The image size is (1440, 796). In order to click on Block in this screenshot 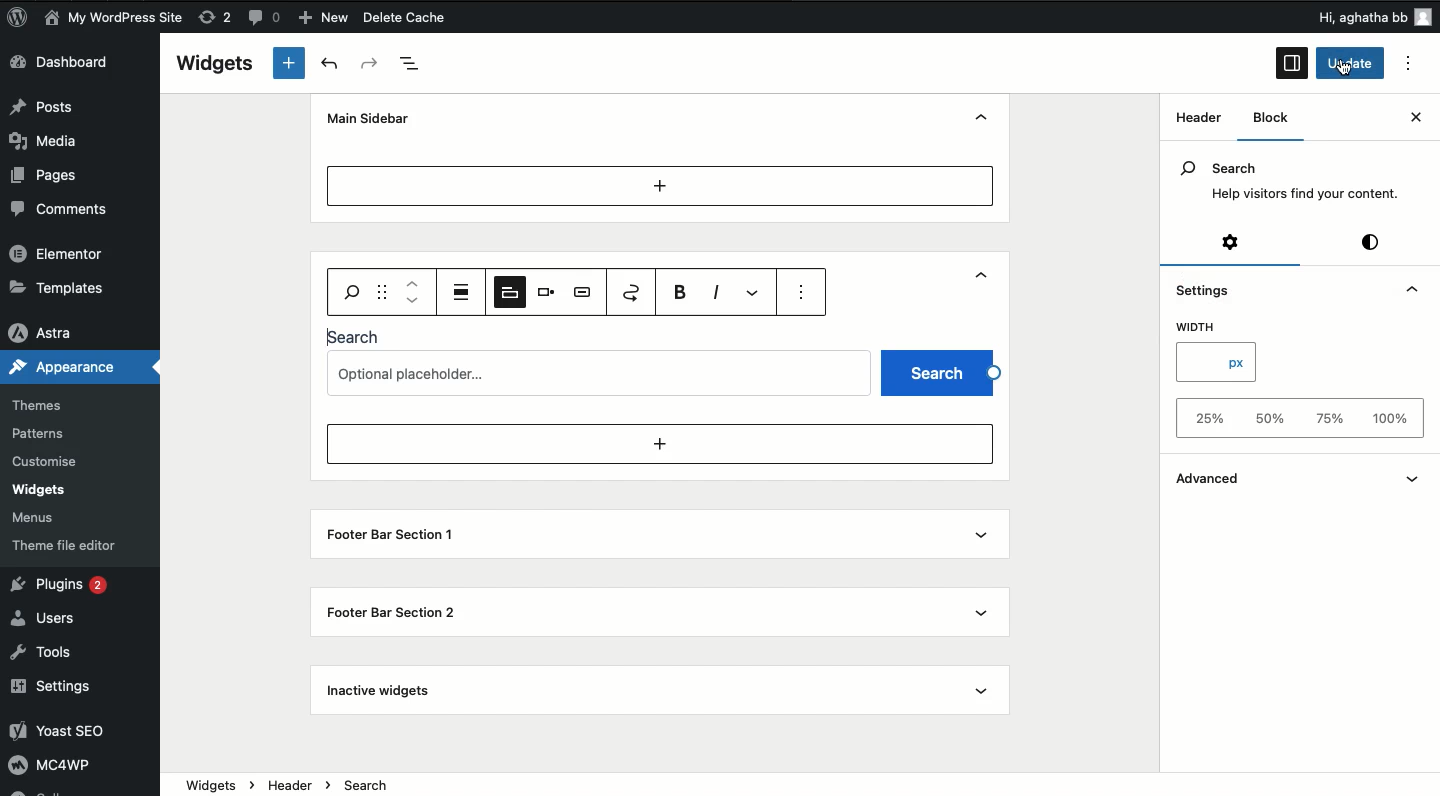, I will do `click(1275, 118)`.